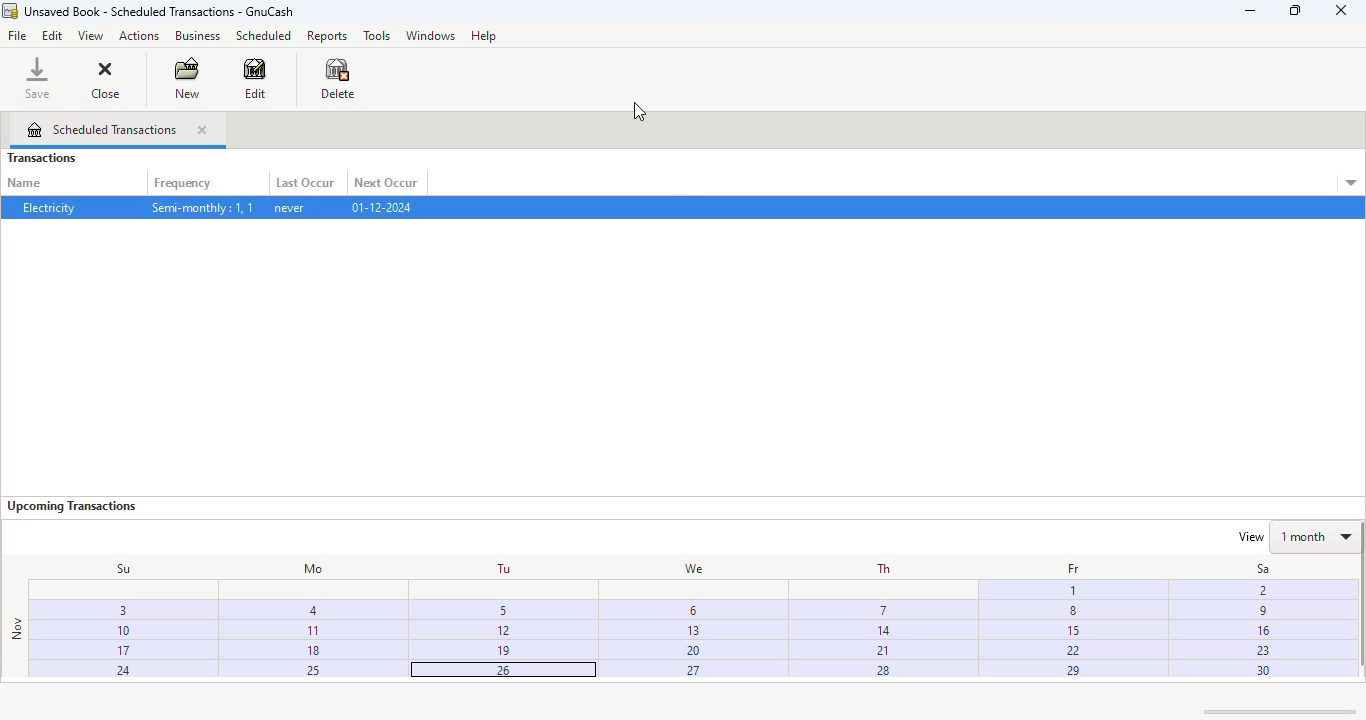 The width and height of the screenshot is (1366, 720). I want to click on last occur, so click(305, 183).